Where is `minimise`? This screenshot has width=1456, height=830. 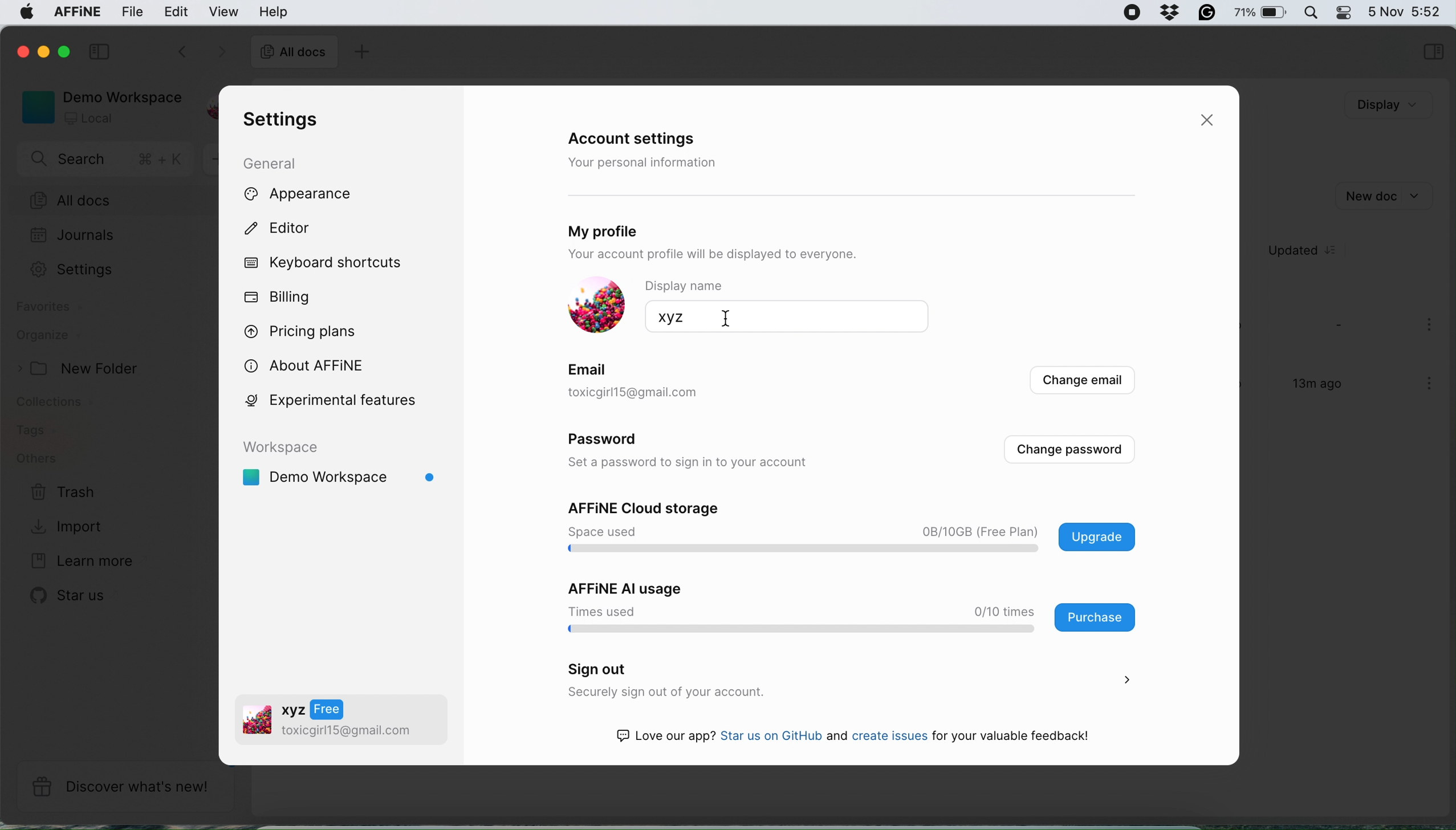 minimise is located at coordinates (46, 54).